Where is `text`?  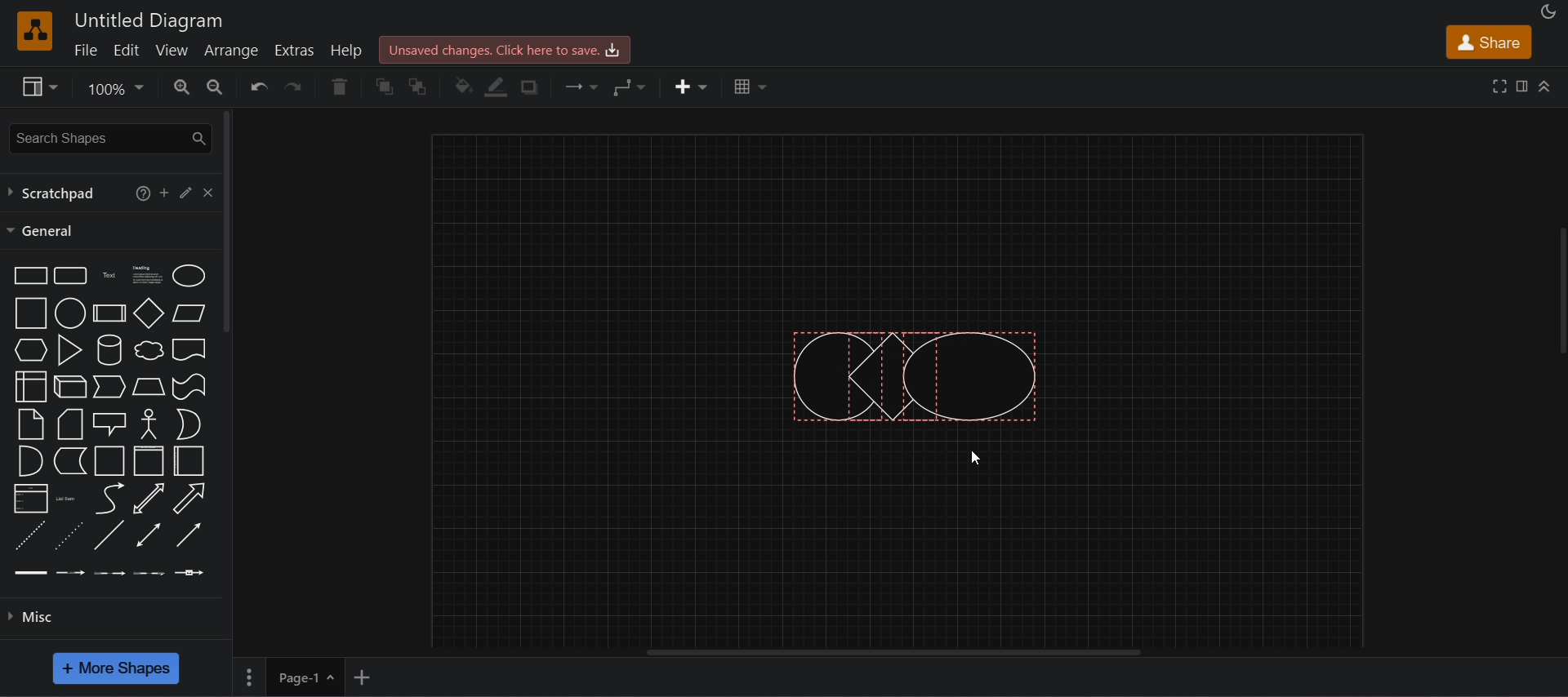
text is located at coordinates (110, 274).